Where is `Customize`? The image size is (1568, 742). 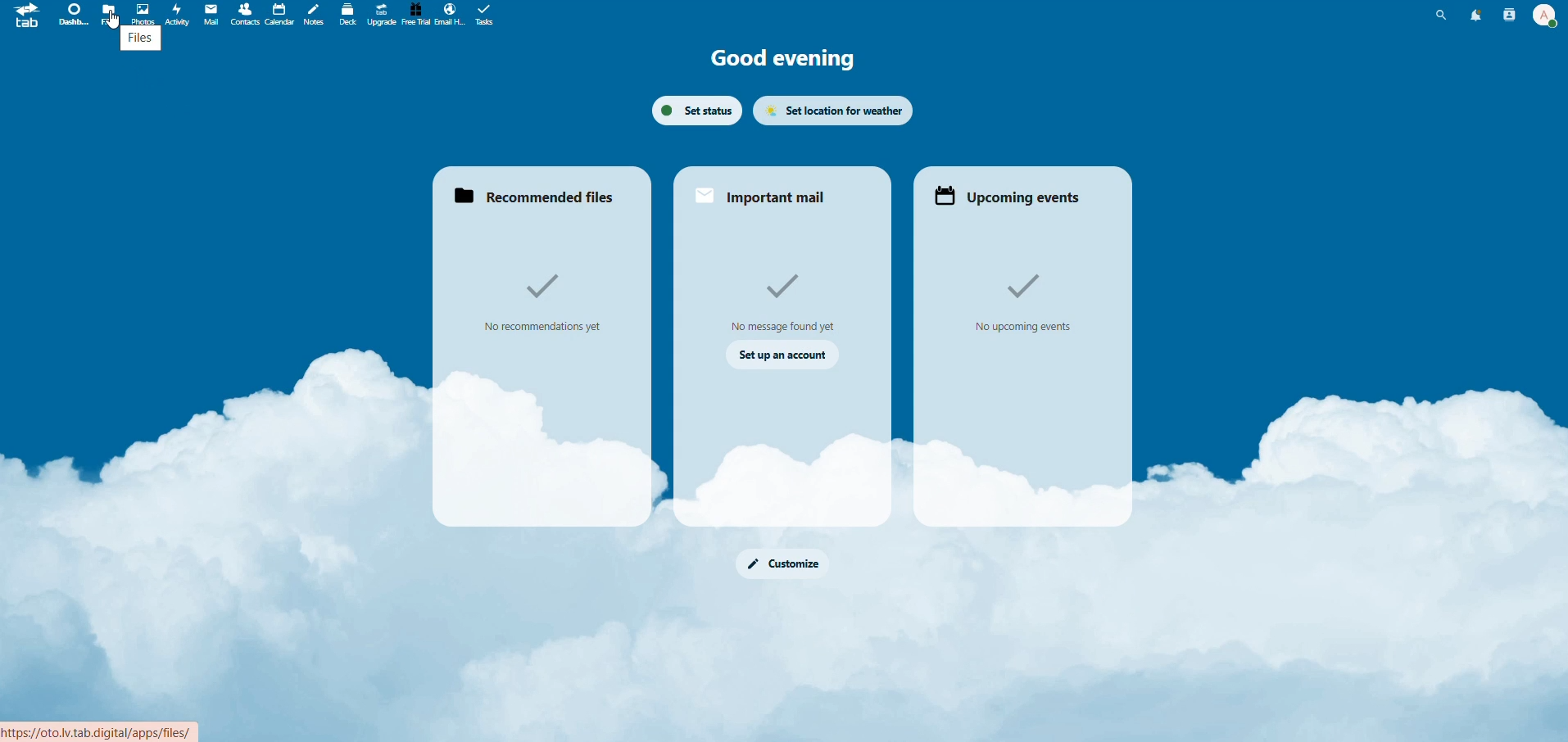 Customize is located at coordinates (788, 566).